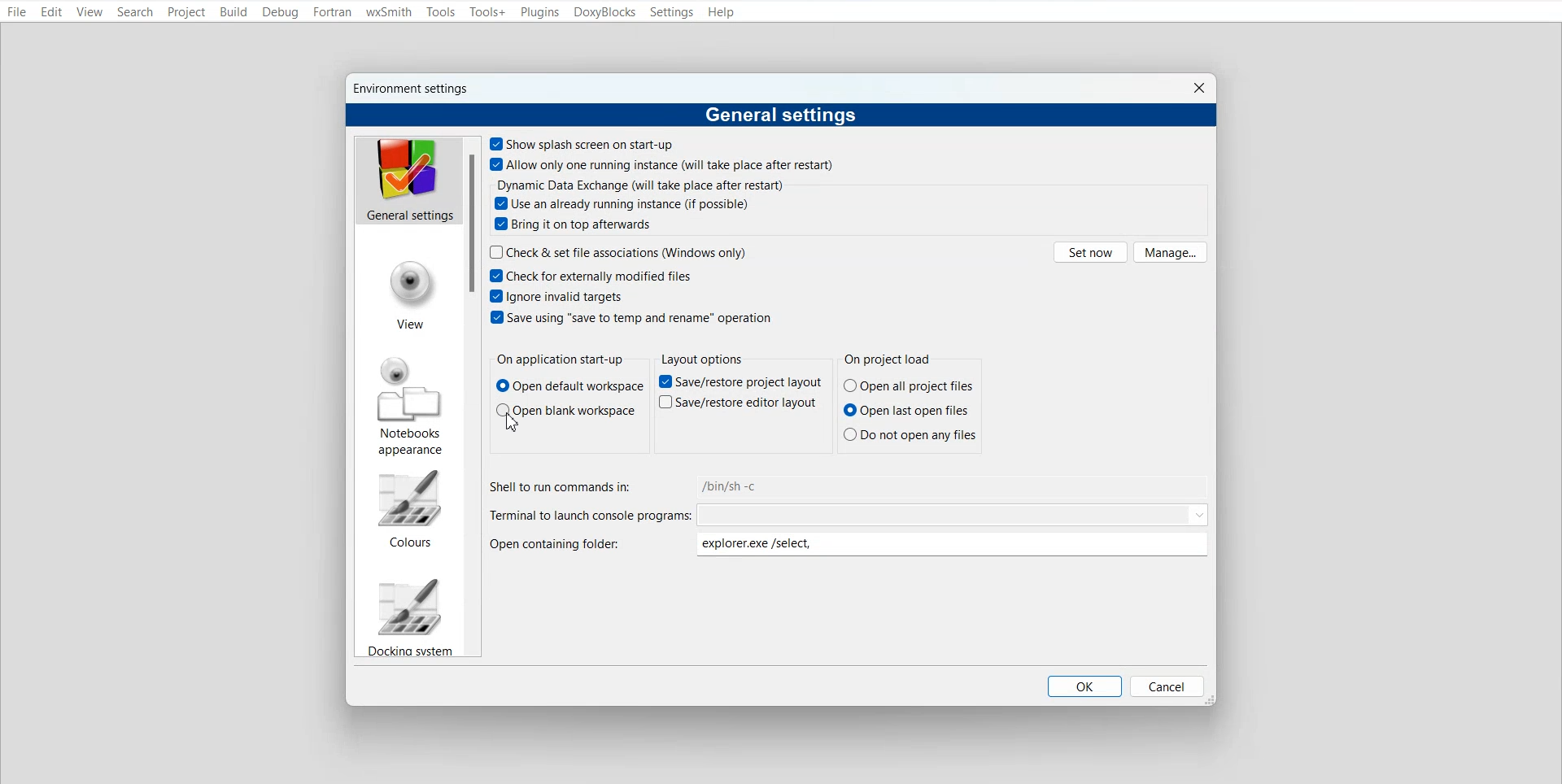 The image size is (1562, 784). I want to click on Docking system, so click(408, 616).